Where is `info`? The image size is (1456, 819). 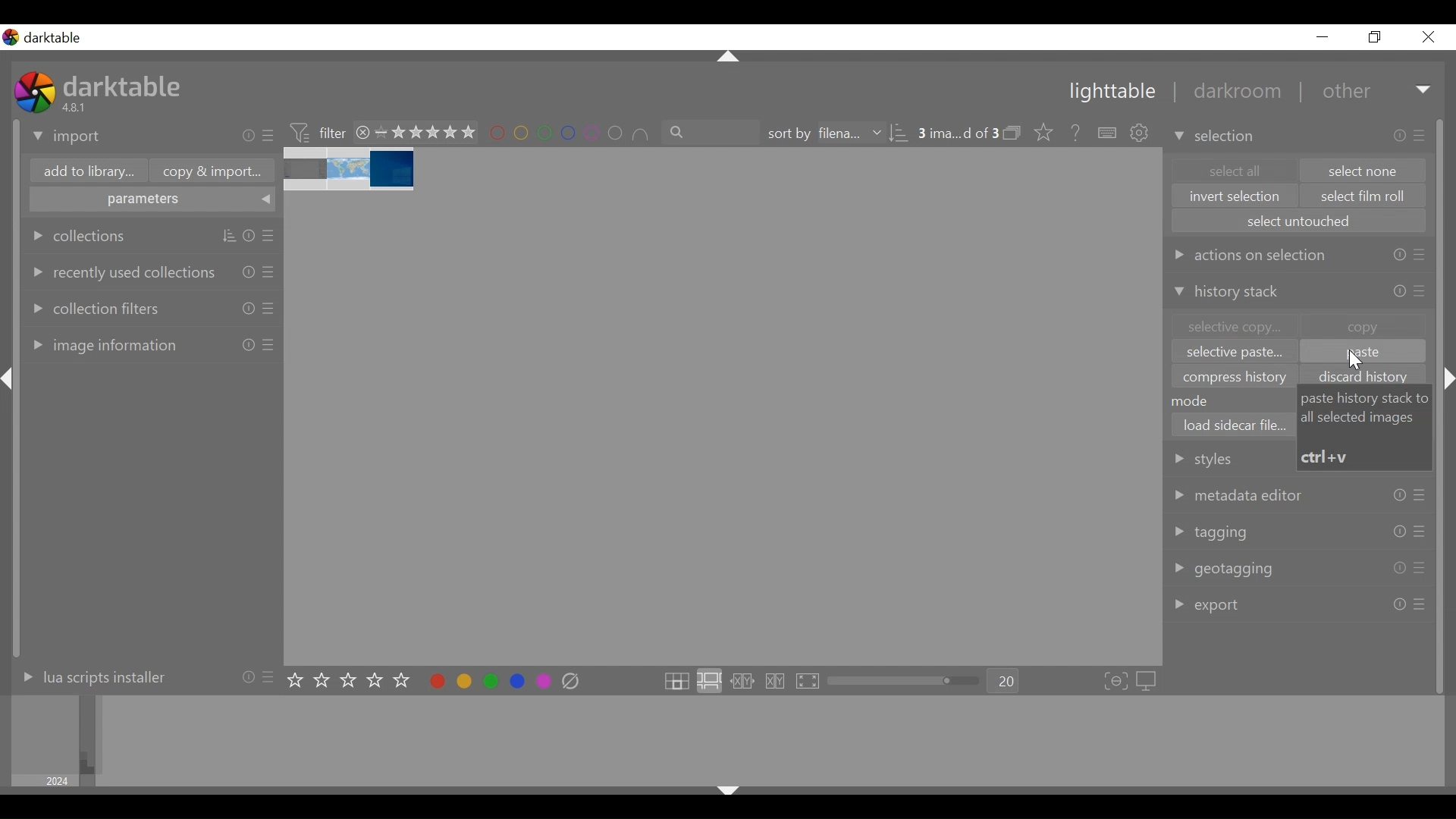 info is located at coordinates (247, 676).